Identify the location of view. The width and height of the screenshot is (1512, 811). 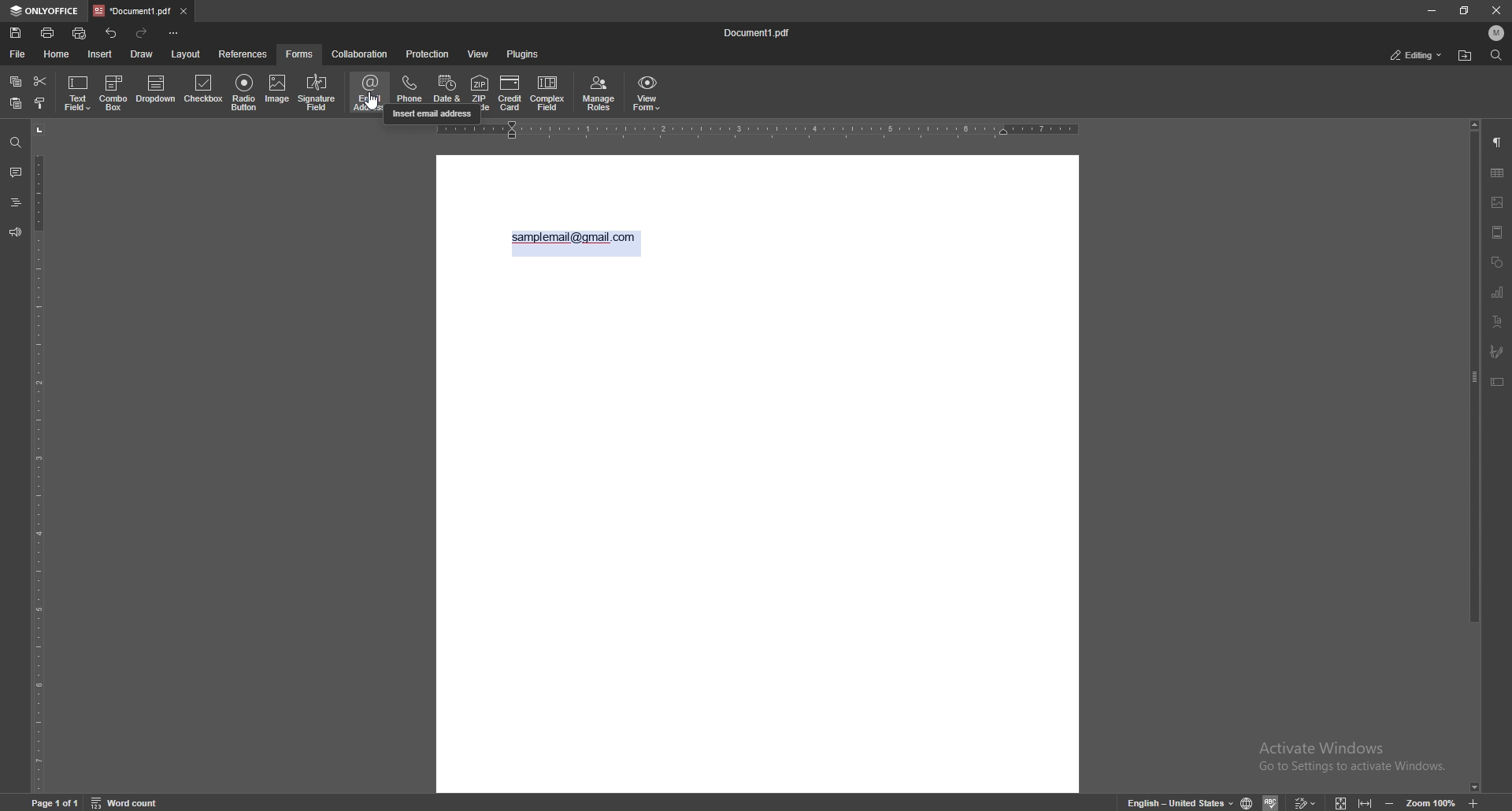
(479, 54).